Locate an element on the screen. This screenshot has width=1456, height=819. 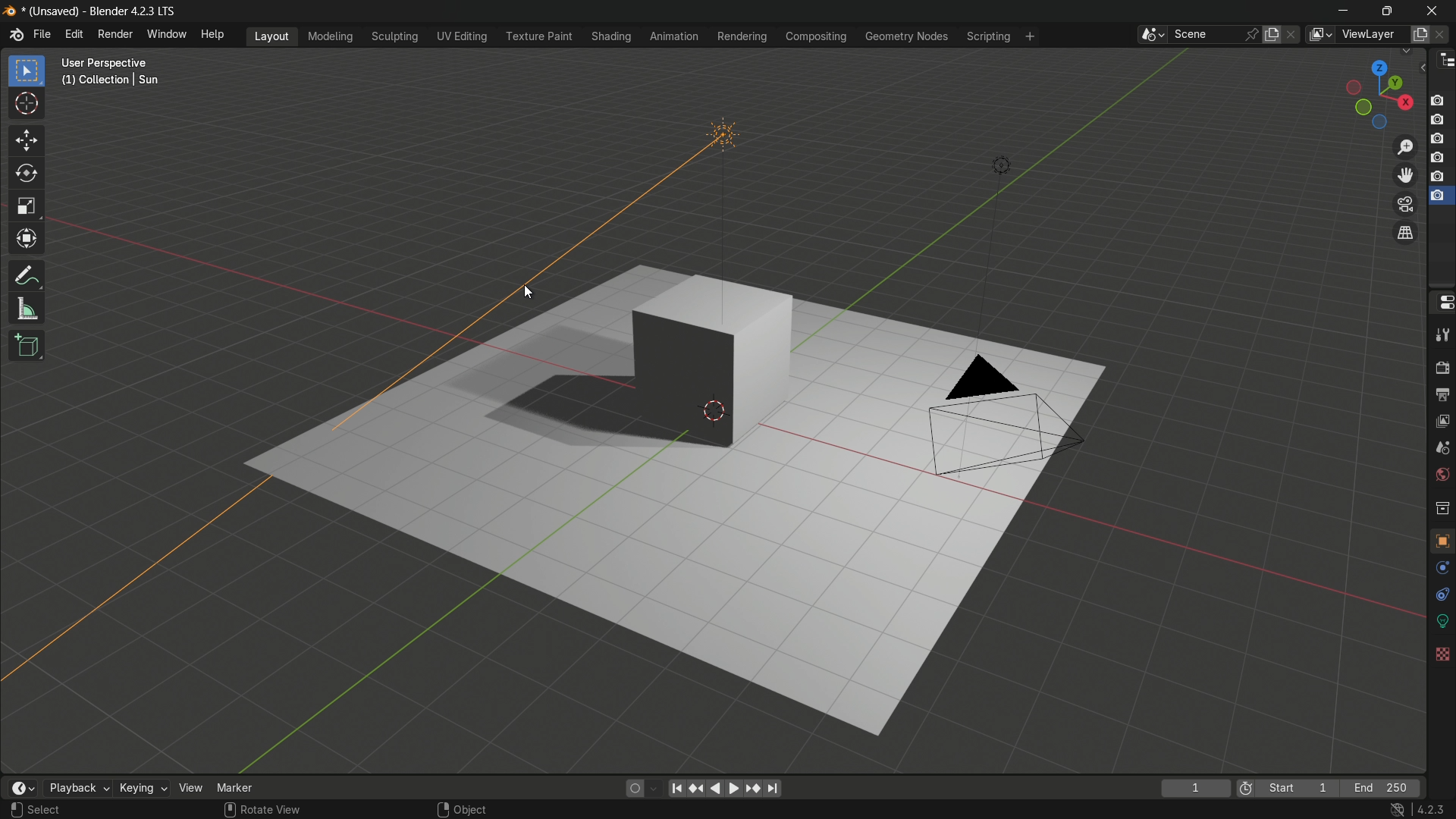
scripting is located at coordinates (988, 36).